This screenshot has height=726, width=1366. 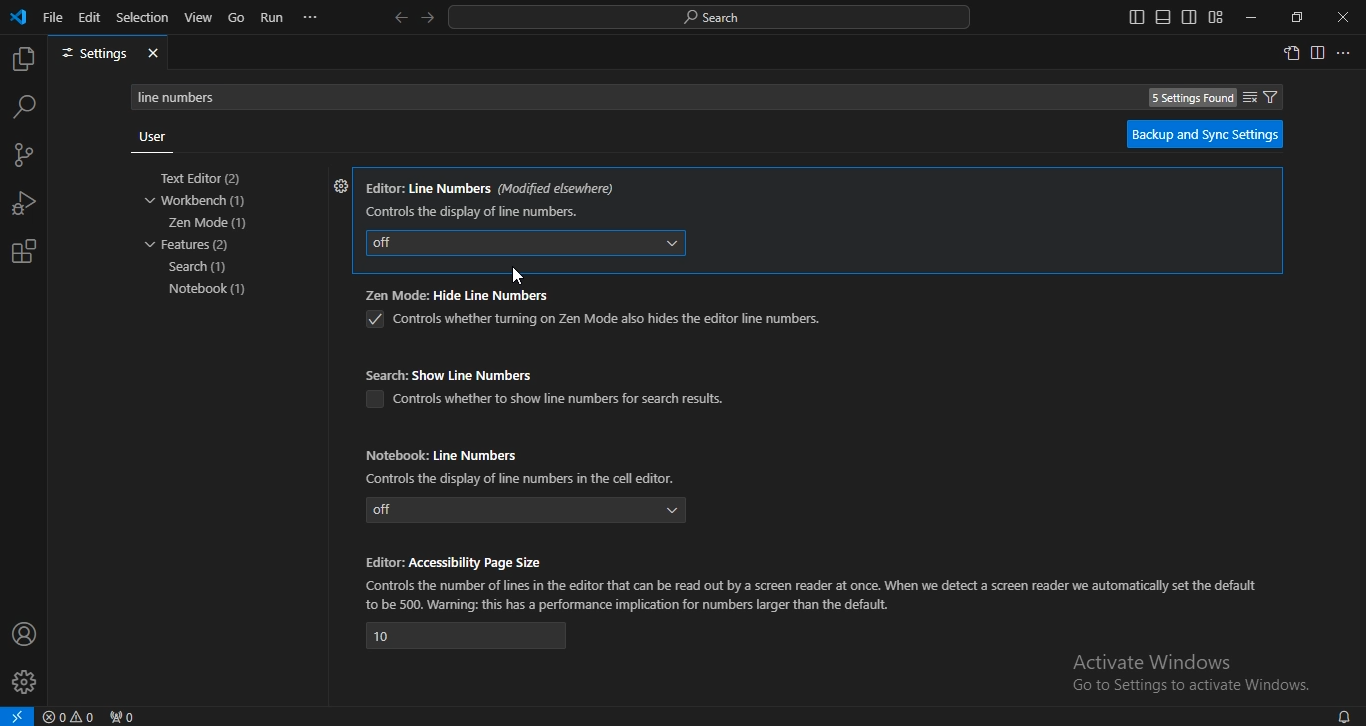 What do you see at coordinates (124, 716) in the screenshot?
I see `no ports forwarded` at bounding box center [124, 716].